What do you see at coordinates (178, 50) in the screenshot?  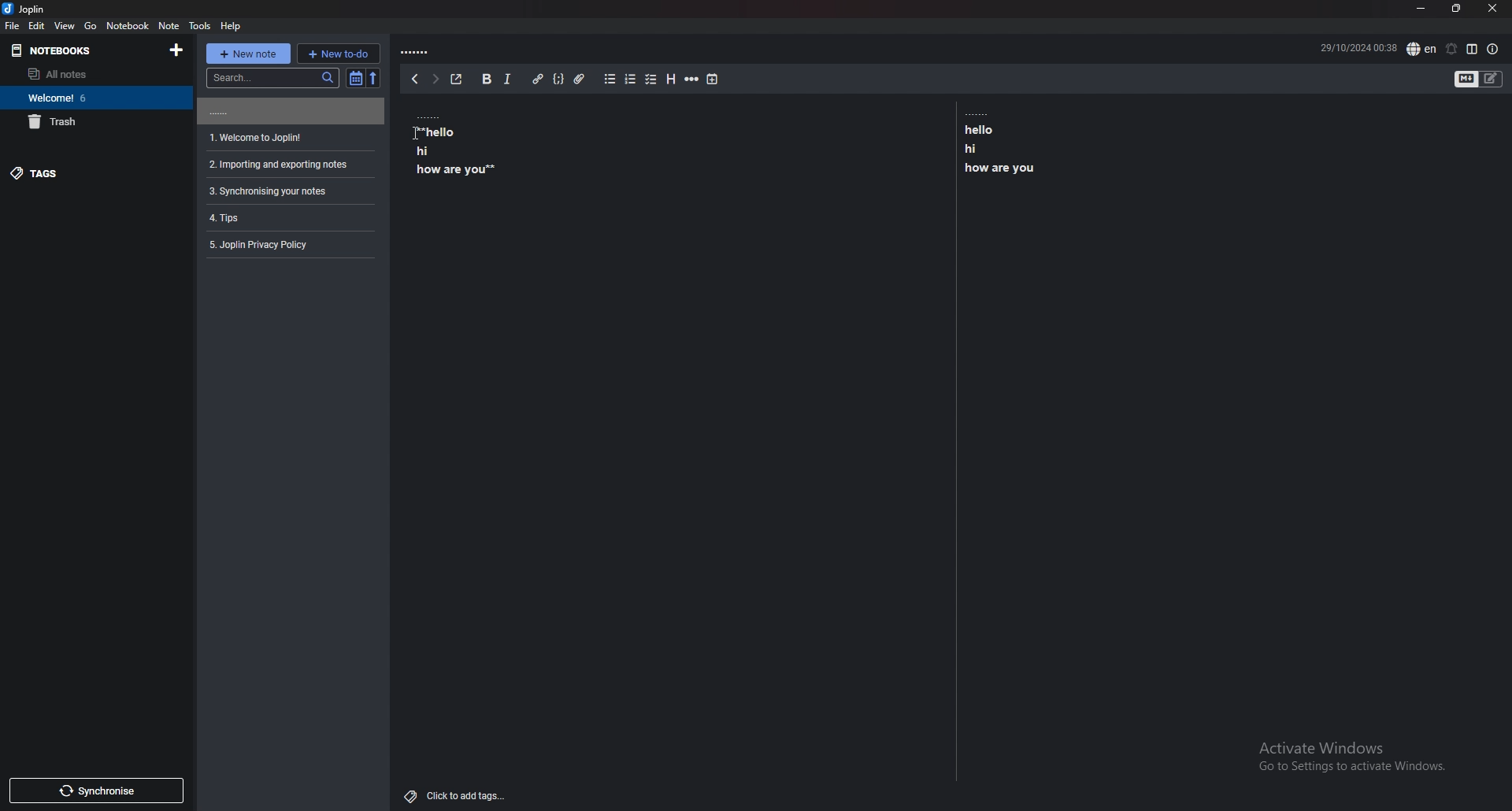 I see `new notebook` at bounding box center [178, 50].